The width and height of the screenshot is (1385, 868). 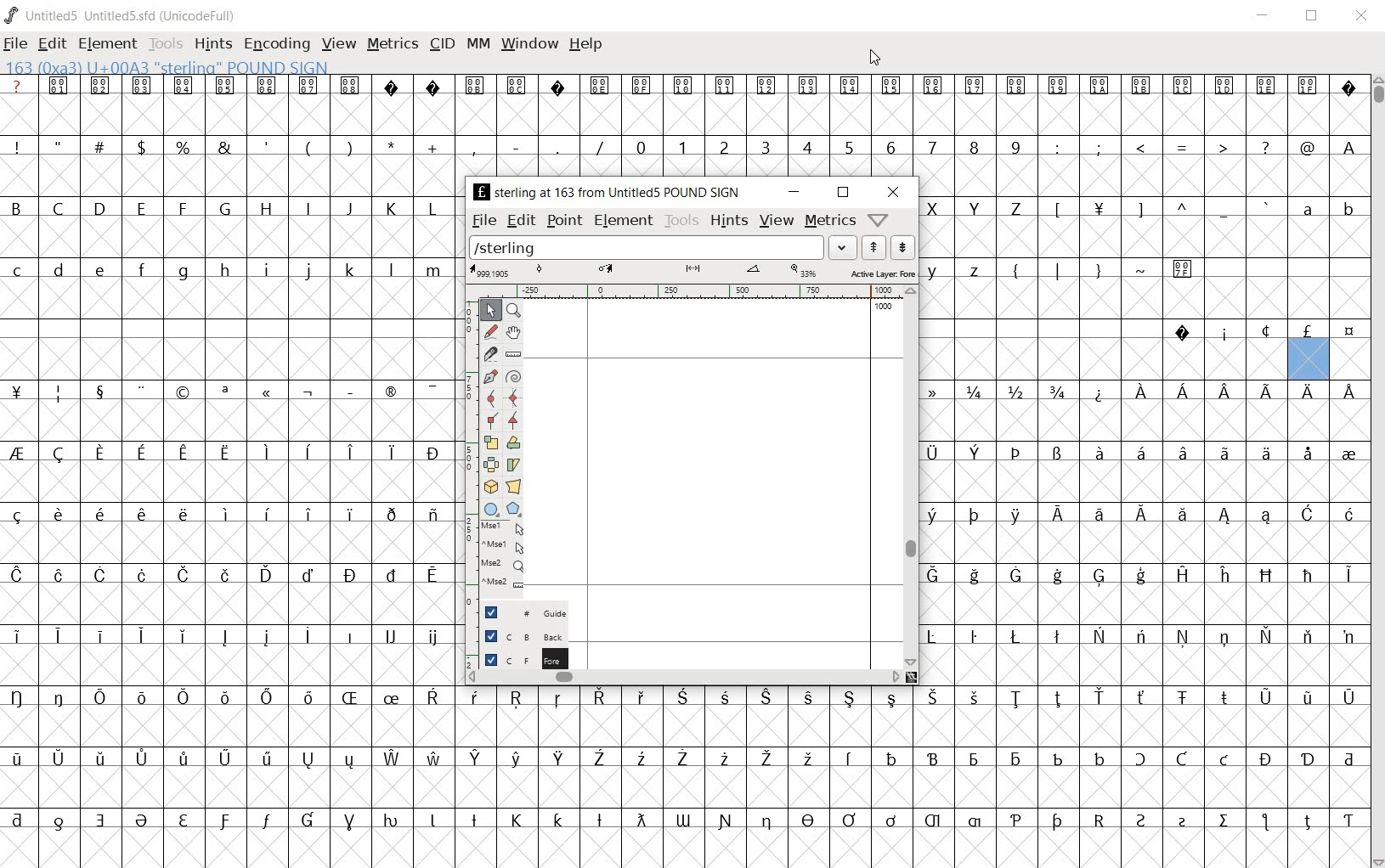 What do you see at coordinates (723, 699) in the screenshot?
I see `Symbol` at bounding box center [723, 699].